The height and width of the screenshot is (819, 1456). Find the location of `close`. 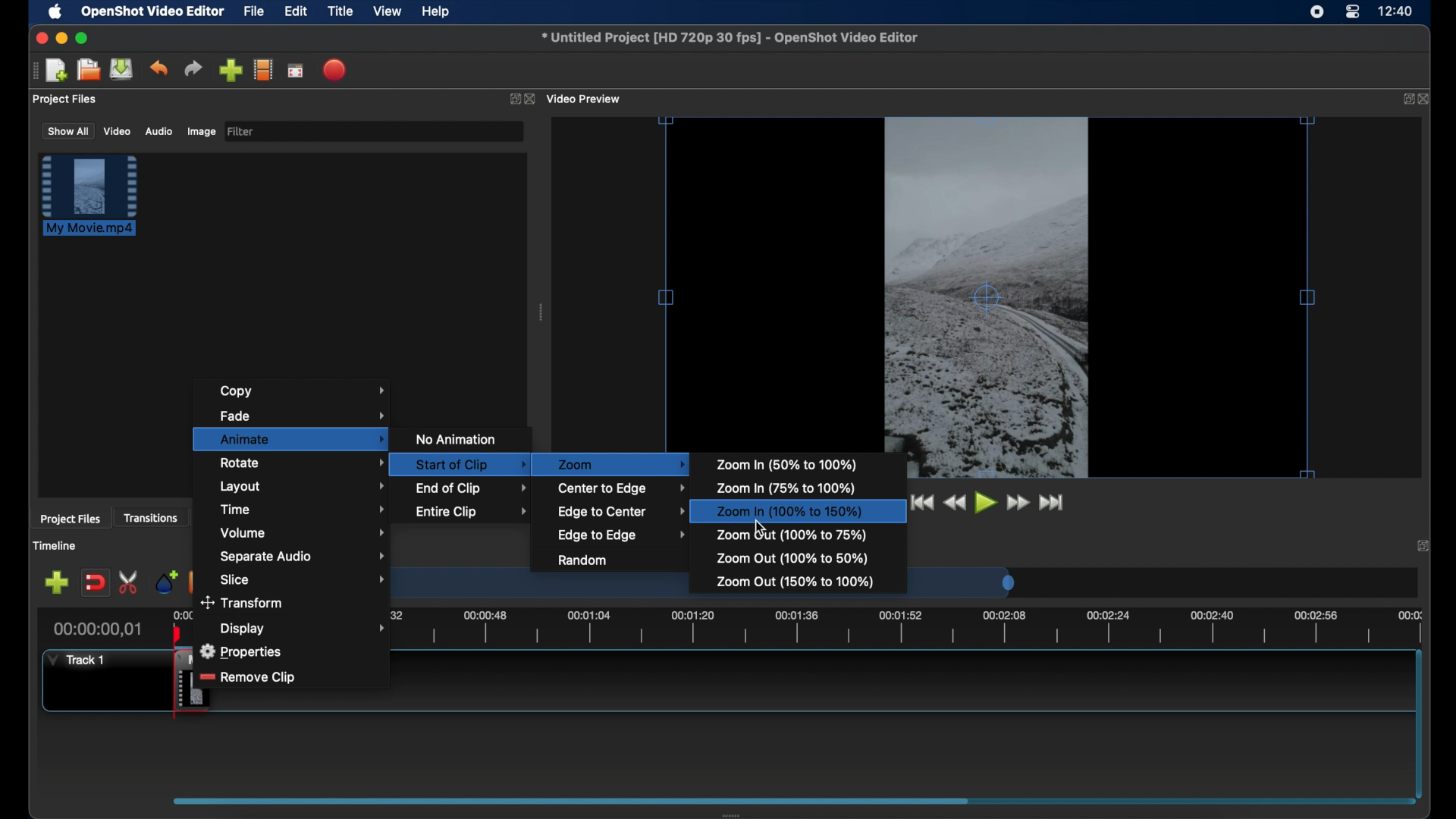

close is located at coordinates (1426, 100).